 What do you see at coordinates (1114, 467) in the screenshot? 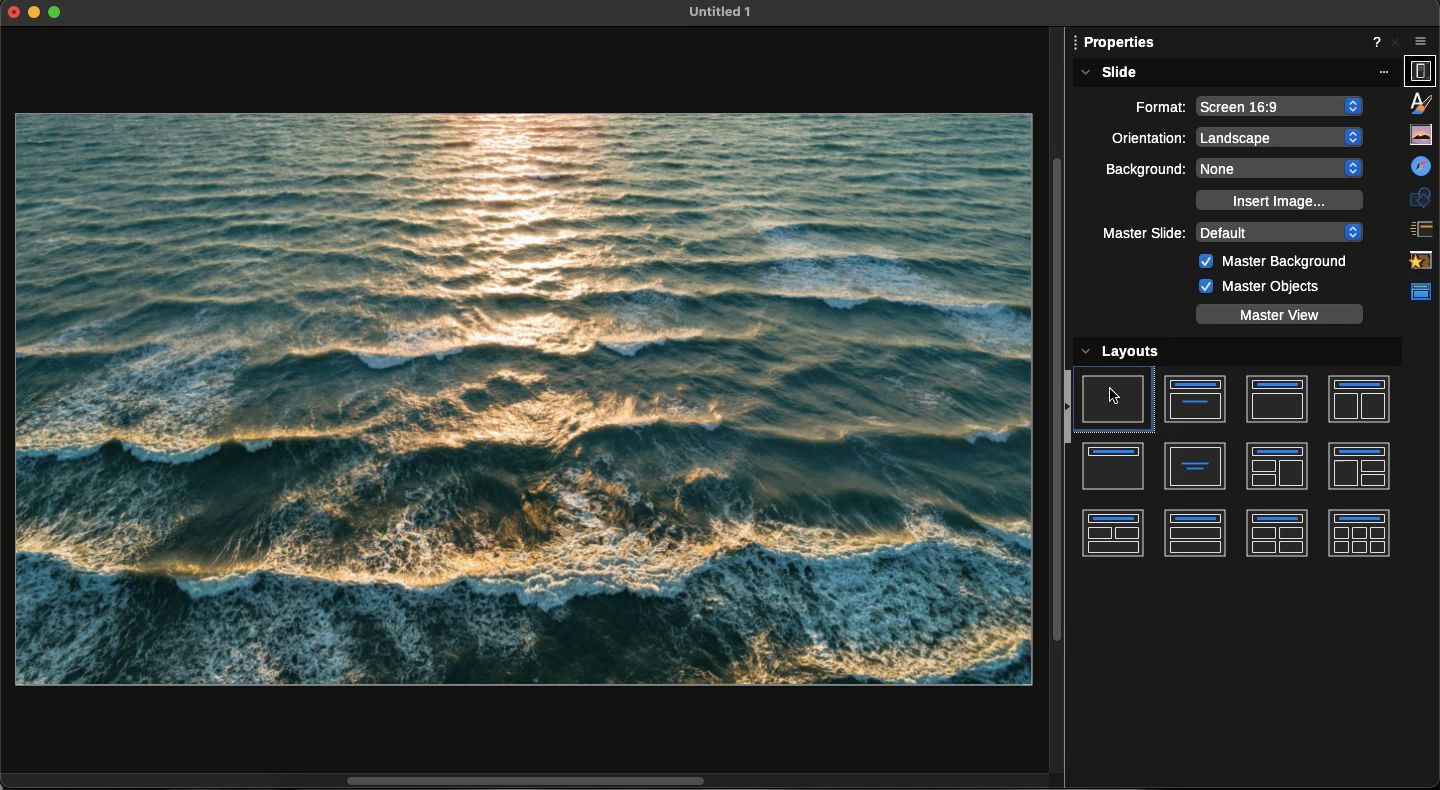
I see `Title` at bounding box center [1114, 467].